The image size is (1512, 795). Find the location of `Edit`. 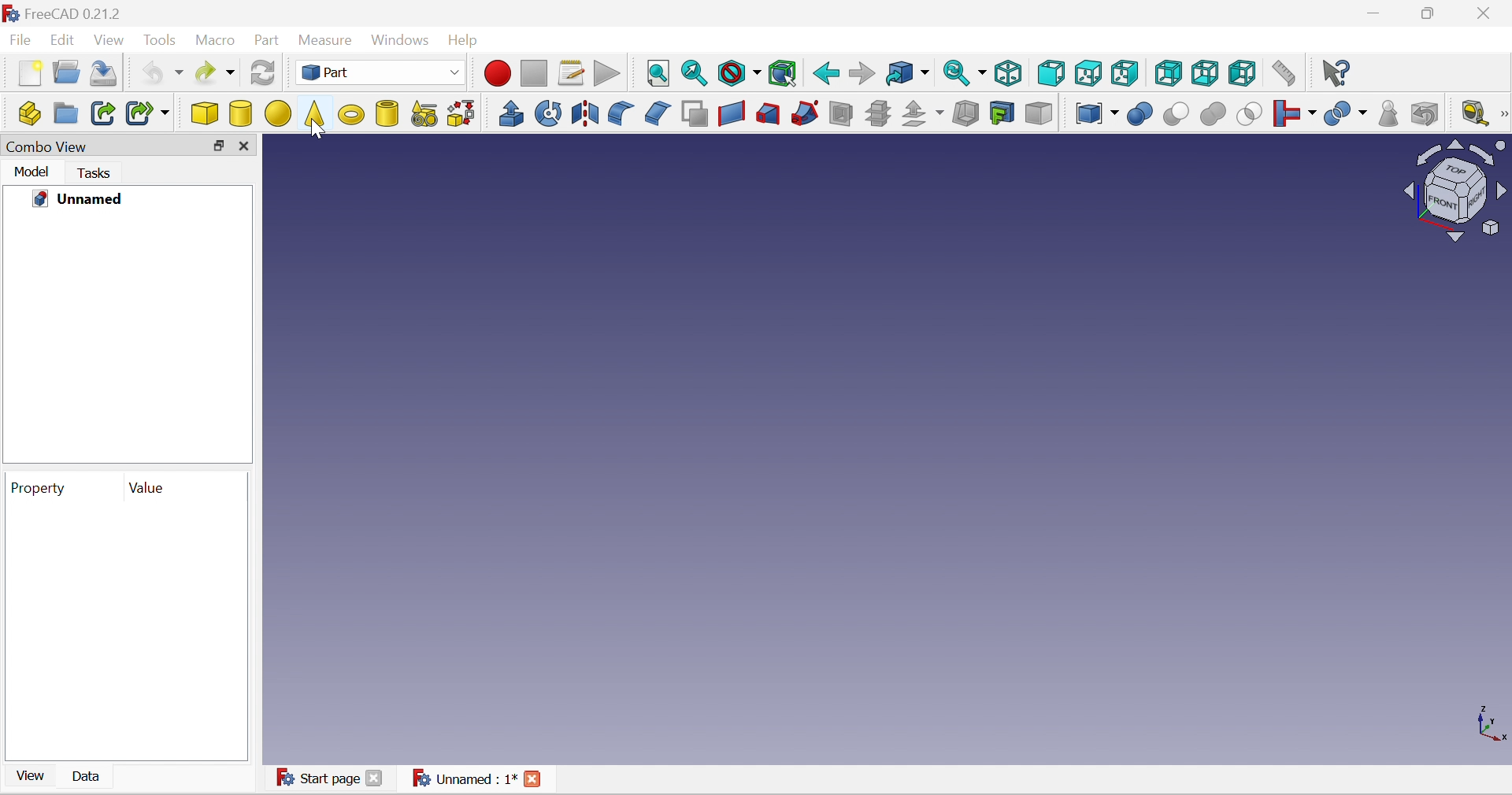

Edit is located at coordinates (64, 42).